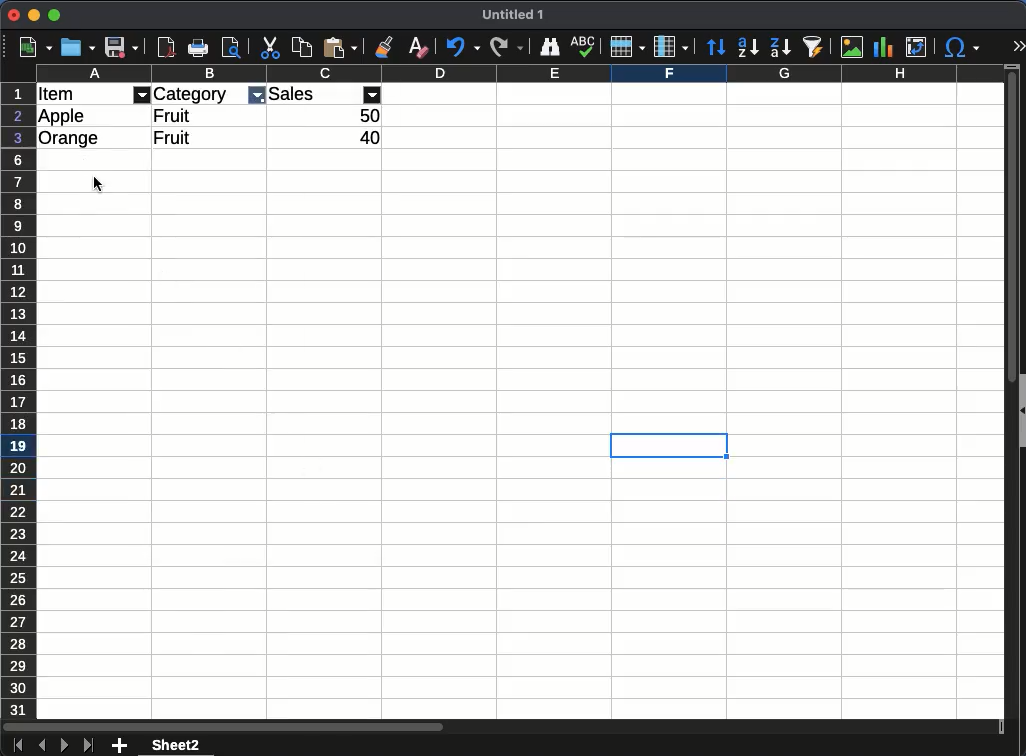  What do you see at coordinates (513, 15) in the screenshot?
I see `Untitled 1 - name` at bounding box center [513, 15].